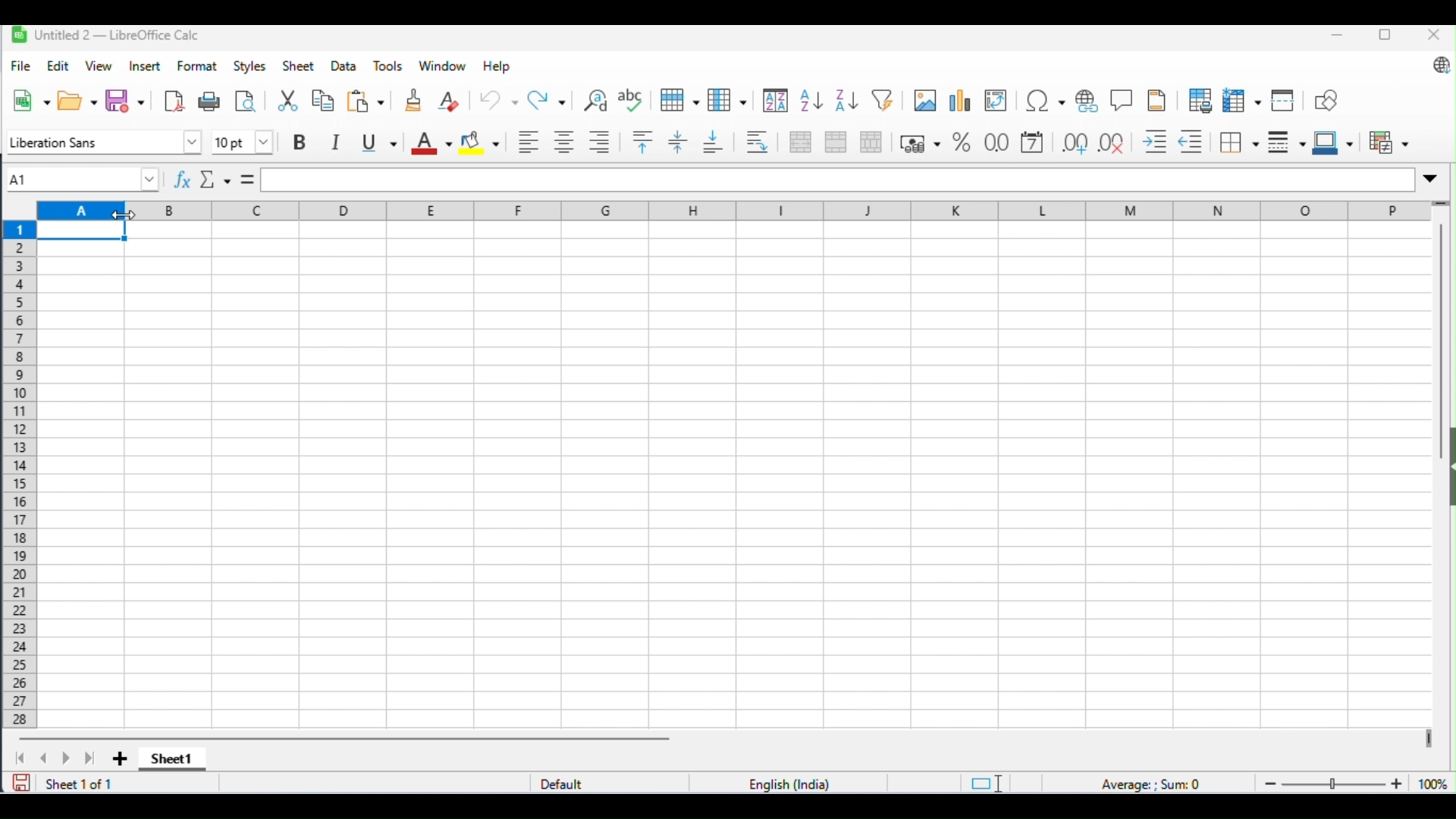  What do you see at coordinates (174, 99) in the screenshot?
I see `export as pdf` at bounding box center [174, 99].